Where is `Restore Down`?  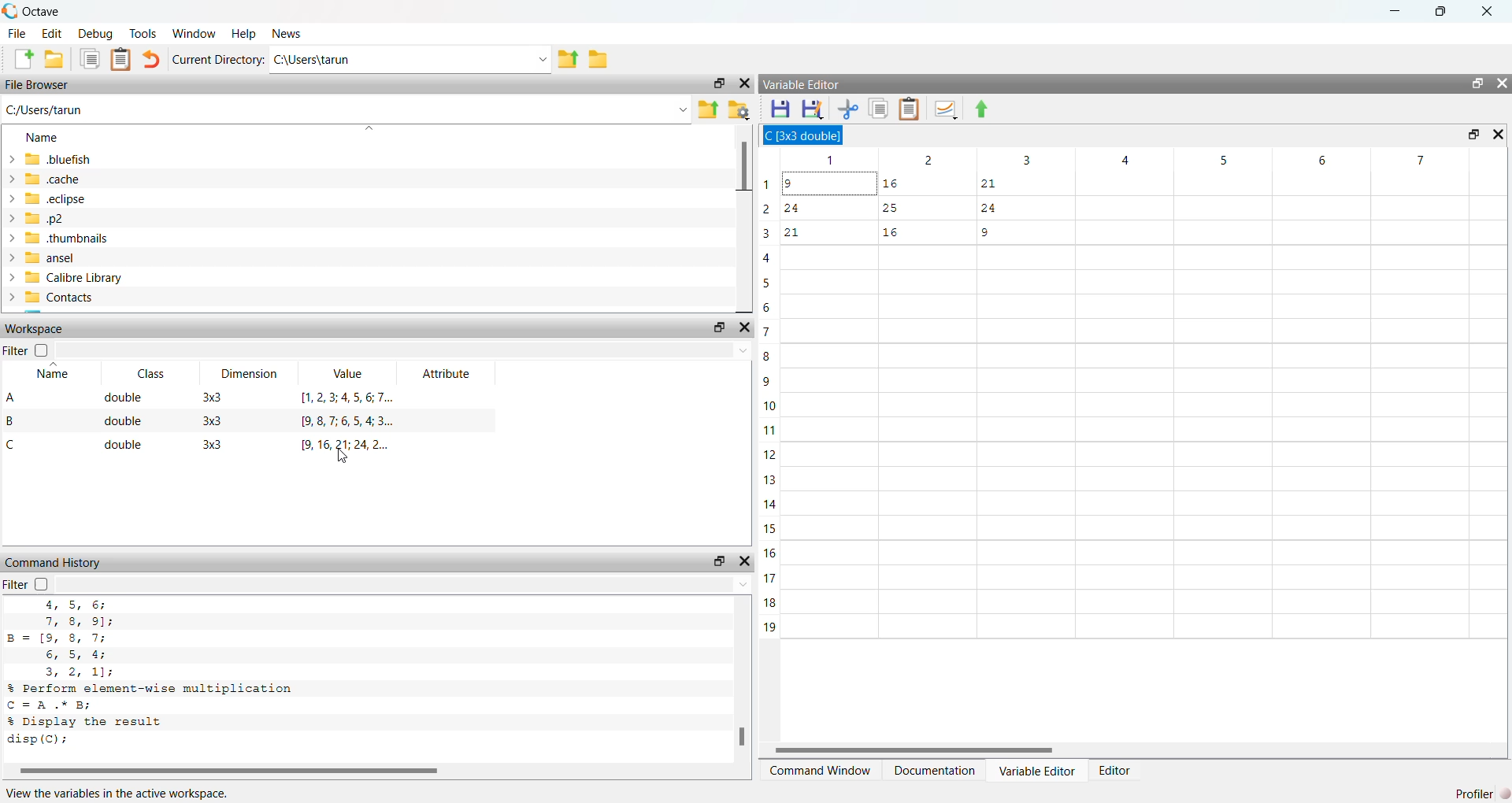 Restore Down is located at coordinates (721, 327).